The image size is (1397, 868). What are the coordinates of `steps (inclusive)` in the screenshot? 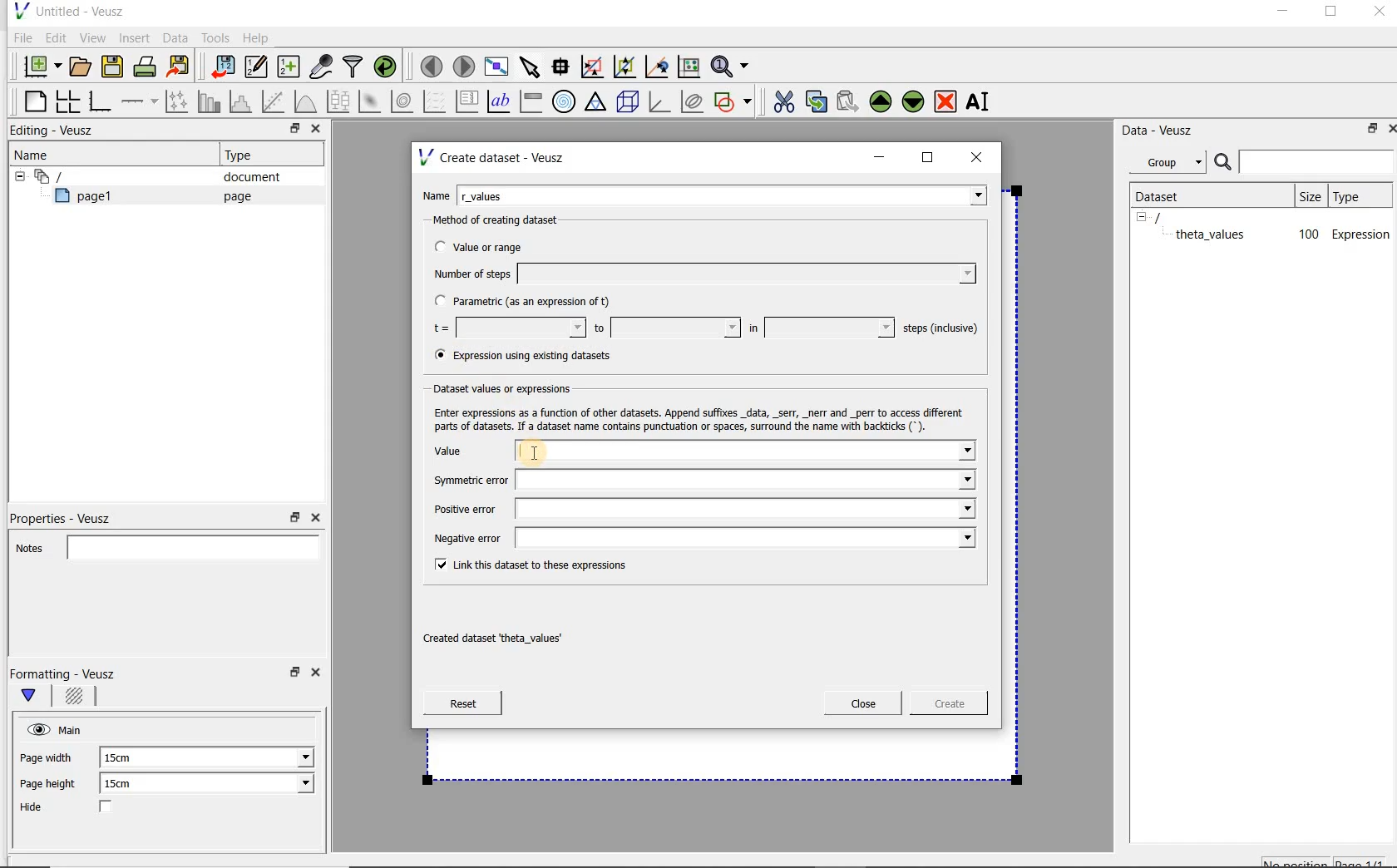 It's located at (941, 329).